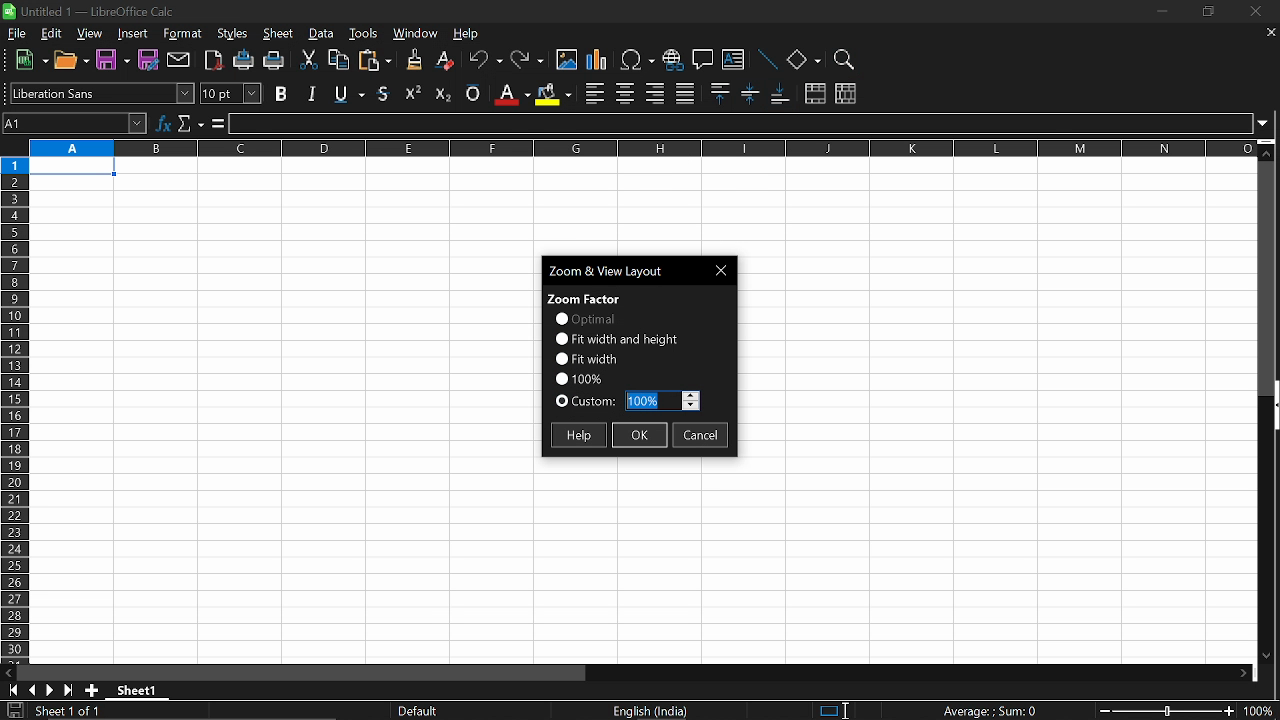 The height and width of the screenshot is (720, 1280). Describe the element at coordinates (306, 673) in the screenshot. I see `horizontal scrollbar` at that location.